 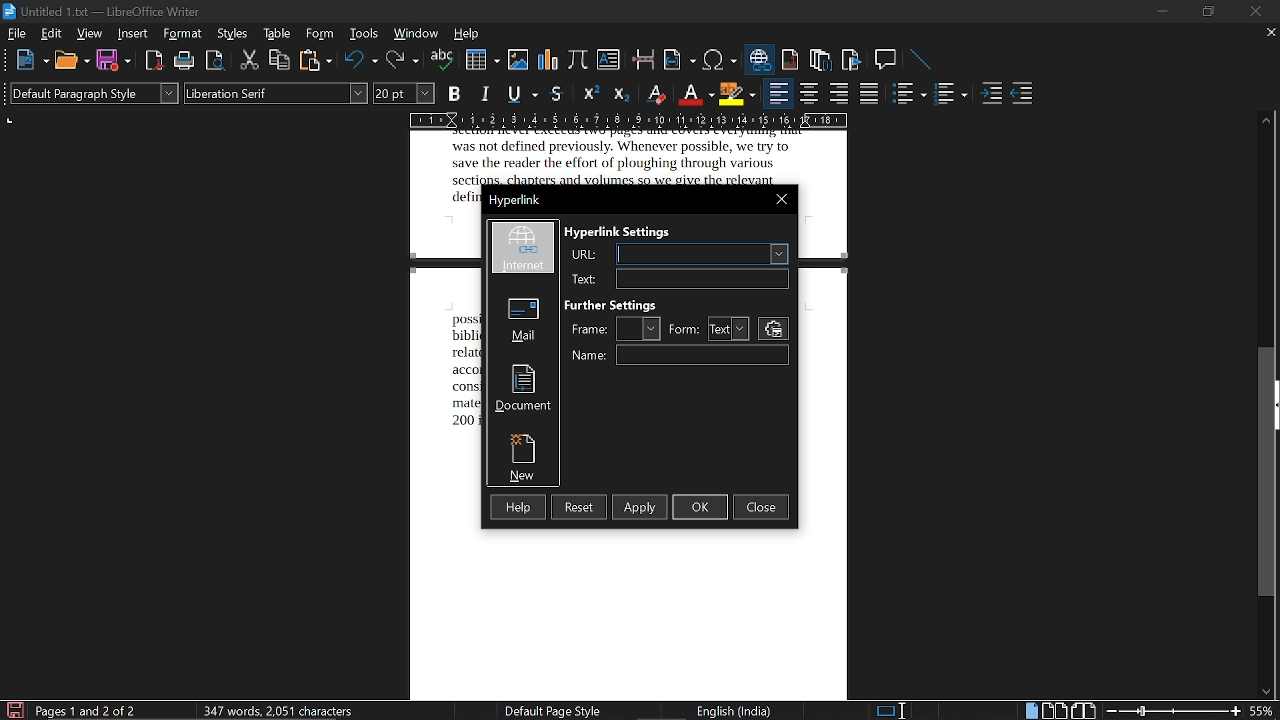 What do you see at coordinates (455, 94) in the screenshot?
I see `bold` at bounding box center [455, 94].